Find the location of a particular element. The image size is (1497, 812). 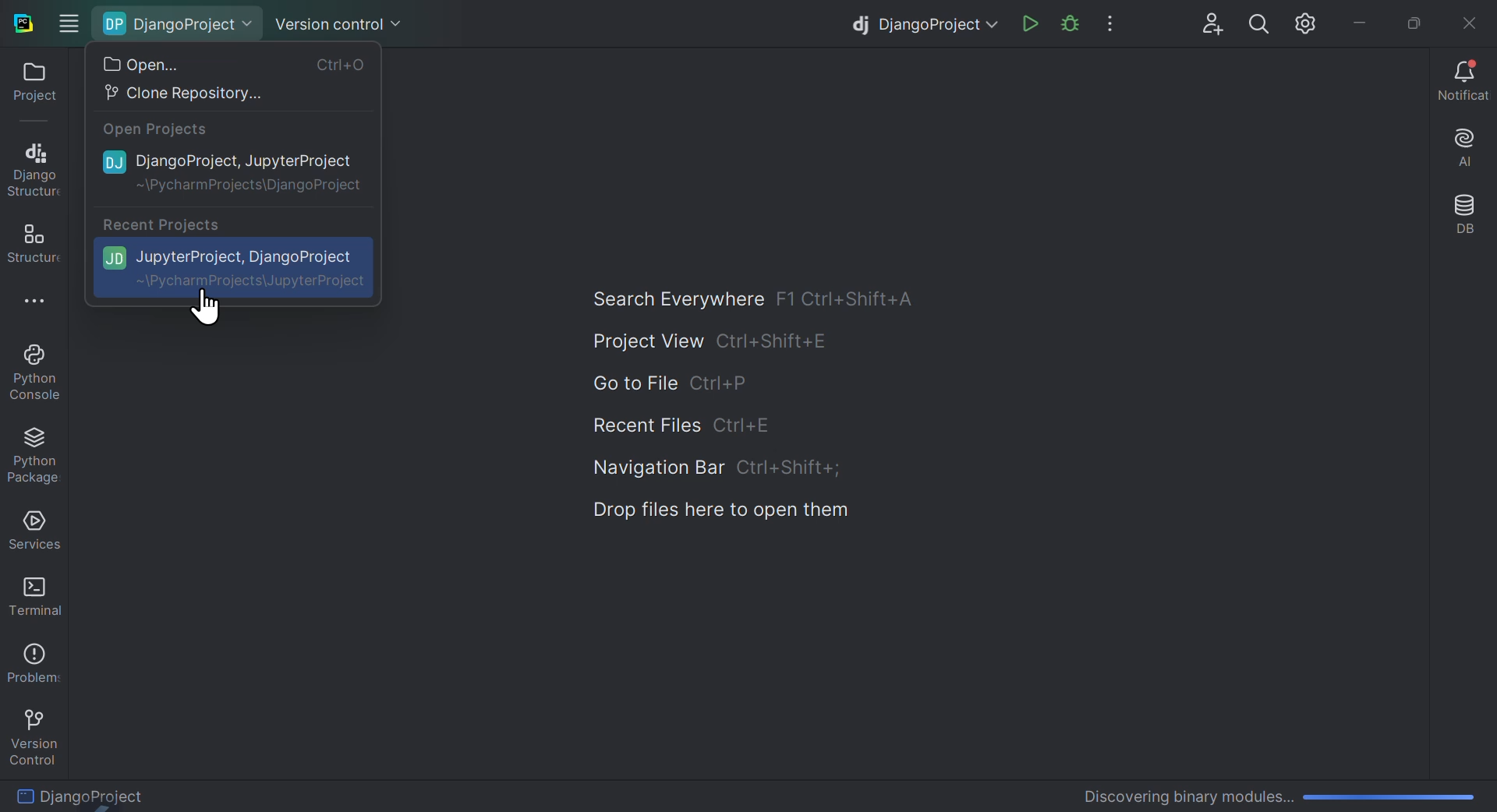

structure is located at coordinates (30, 243).